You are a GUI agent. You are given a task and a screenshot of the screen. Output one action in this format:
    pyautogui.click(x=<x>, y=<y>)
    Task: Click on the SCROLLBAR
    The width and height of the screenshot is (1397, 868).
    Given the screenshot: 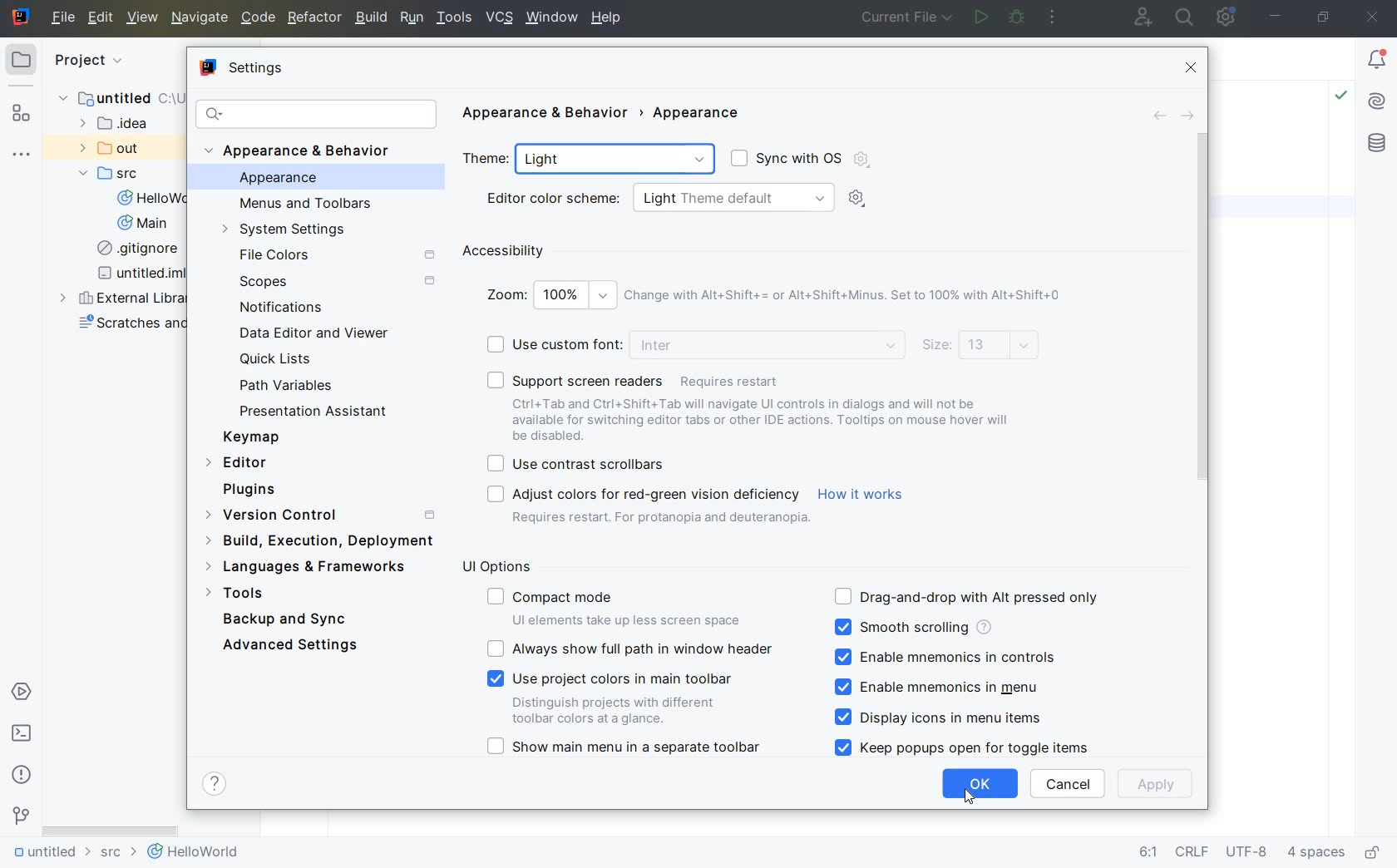 What is the action you would take?
    pyautogui.click(x=111, y=830)
    